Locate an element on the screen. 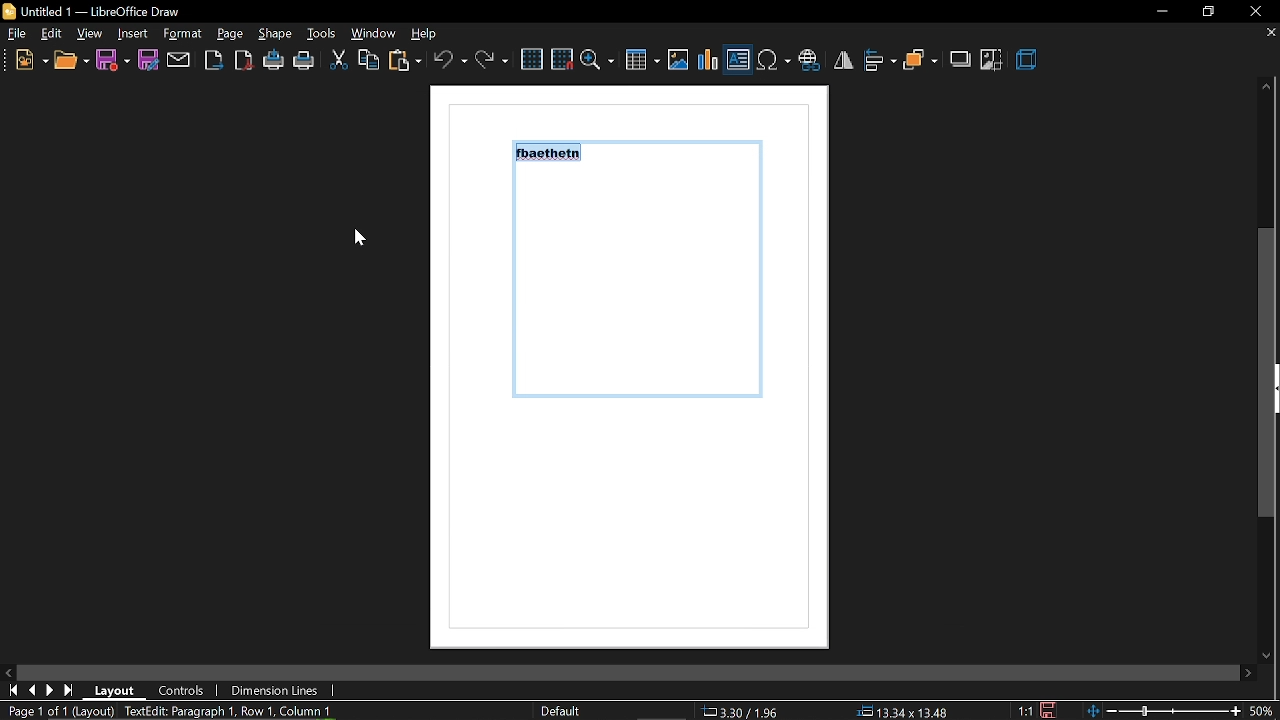 This screenshot has height=720, width=1280. format is located at coordinates (231, 34).